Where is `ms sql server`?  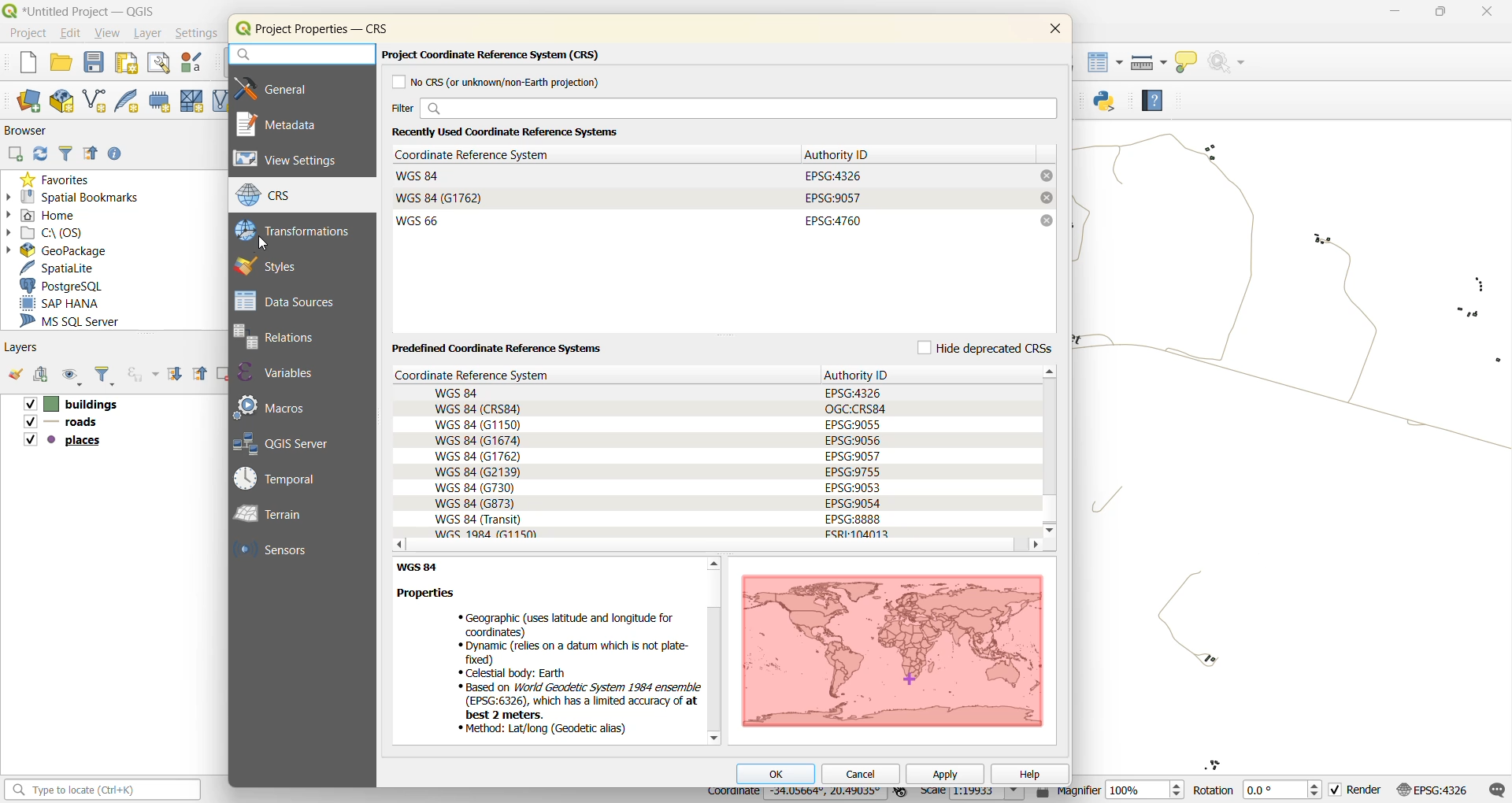 ms sql server is located at coordinates (79, 320).